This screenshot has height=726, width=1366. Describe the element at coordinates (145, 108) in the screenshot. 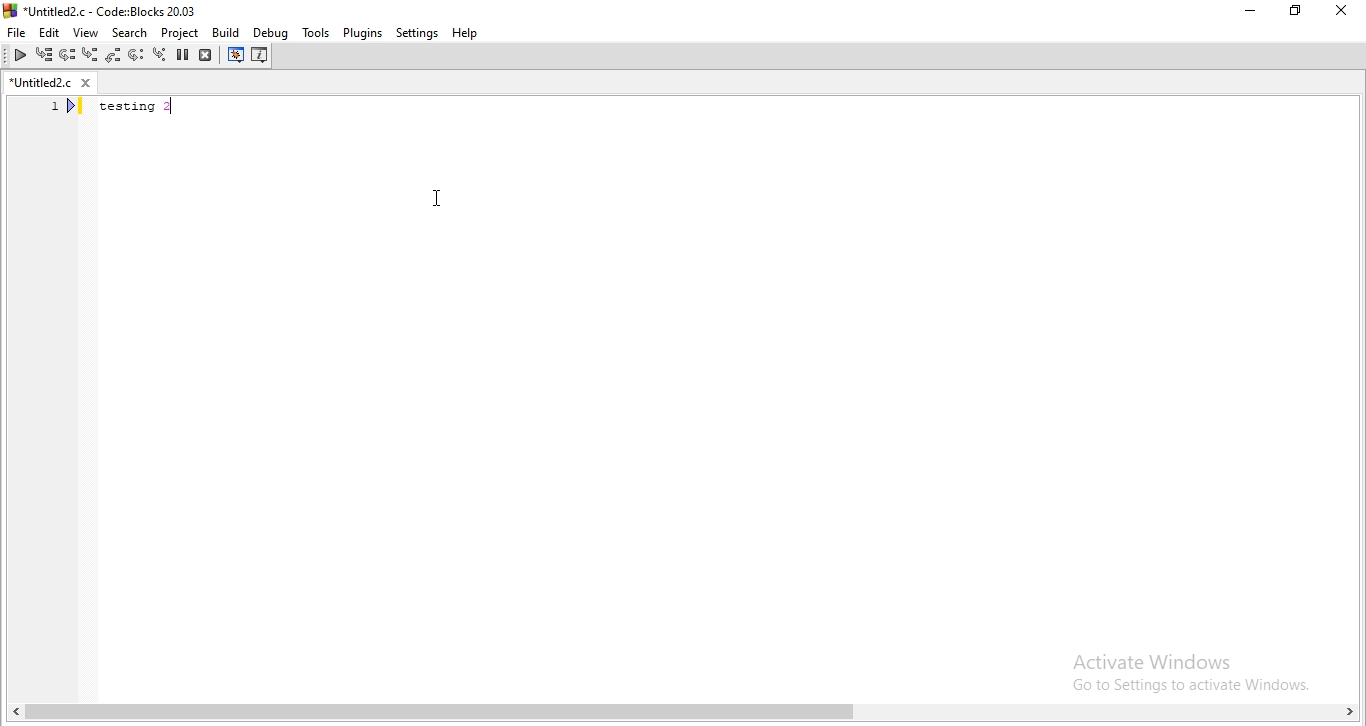

I see `testing 2` at that location.